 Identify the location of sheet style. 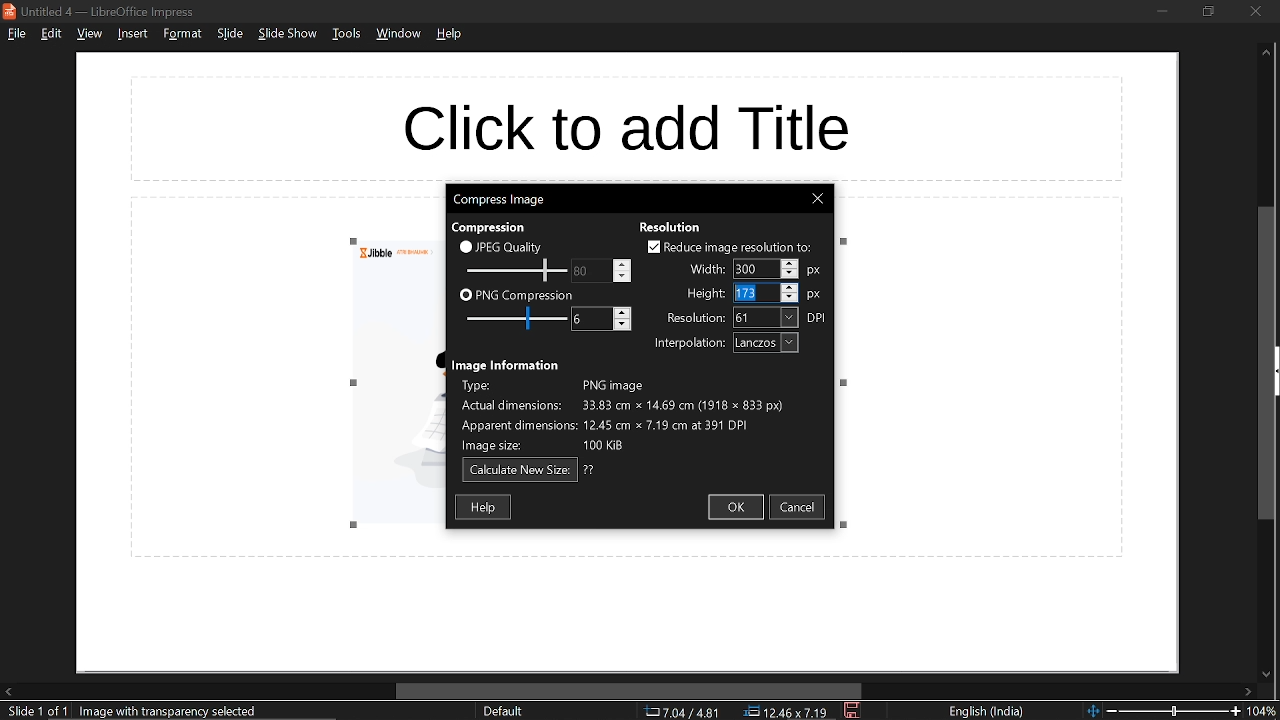
(502, 712).